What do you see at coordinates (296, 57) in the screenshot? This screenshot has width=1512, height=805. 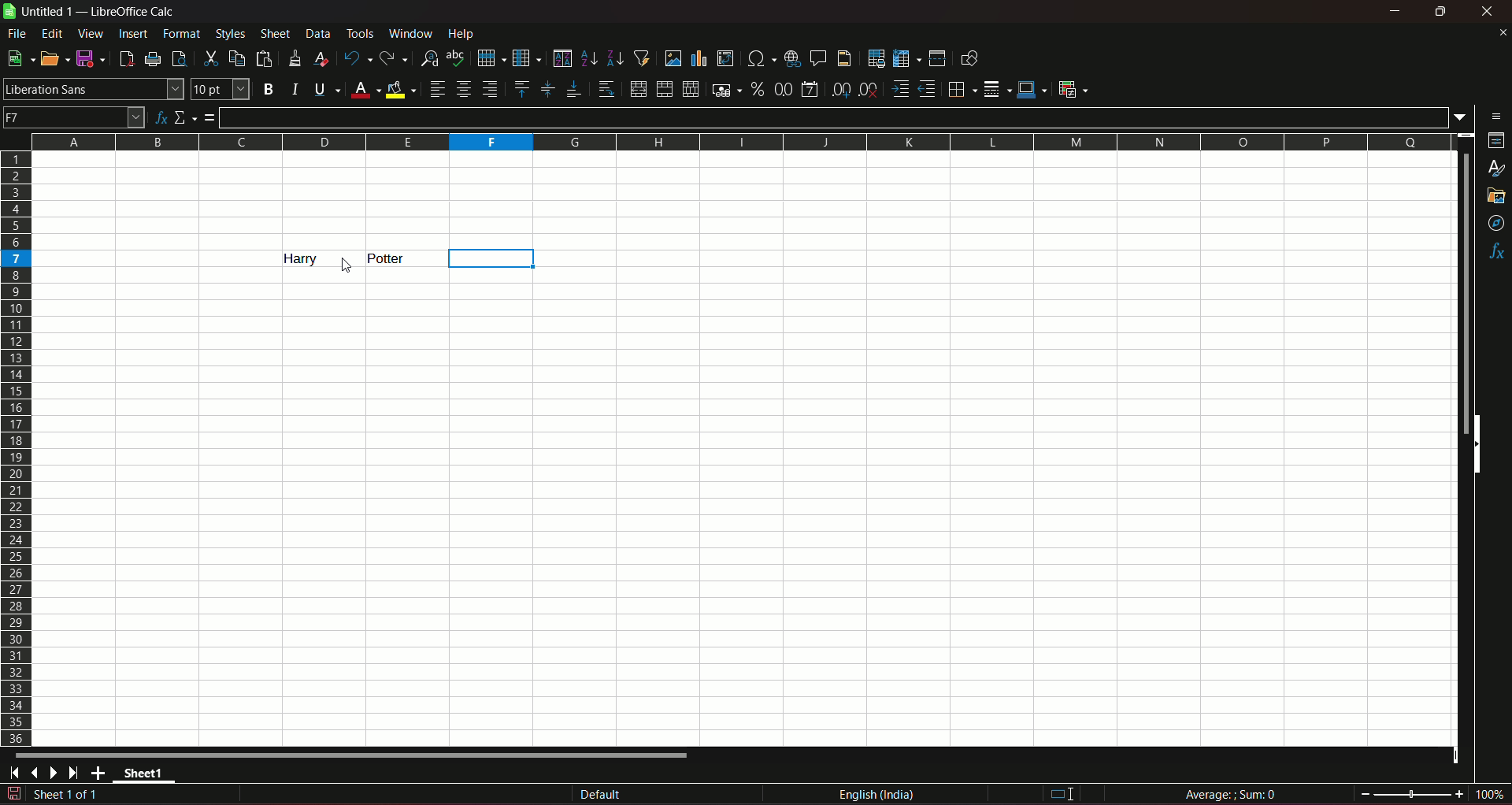 I see `clone formatting` at bounding box center [296, 57].